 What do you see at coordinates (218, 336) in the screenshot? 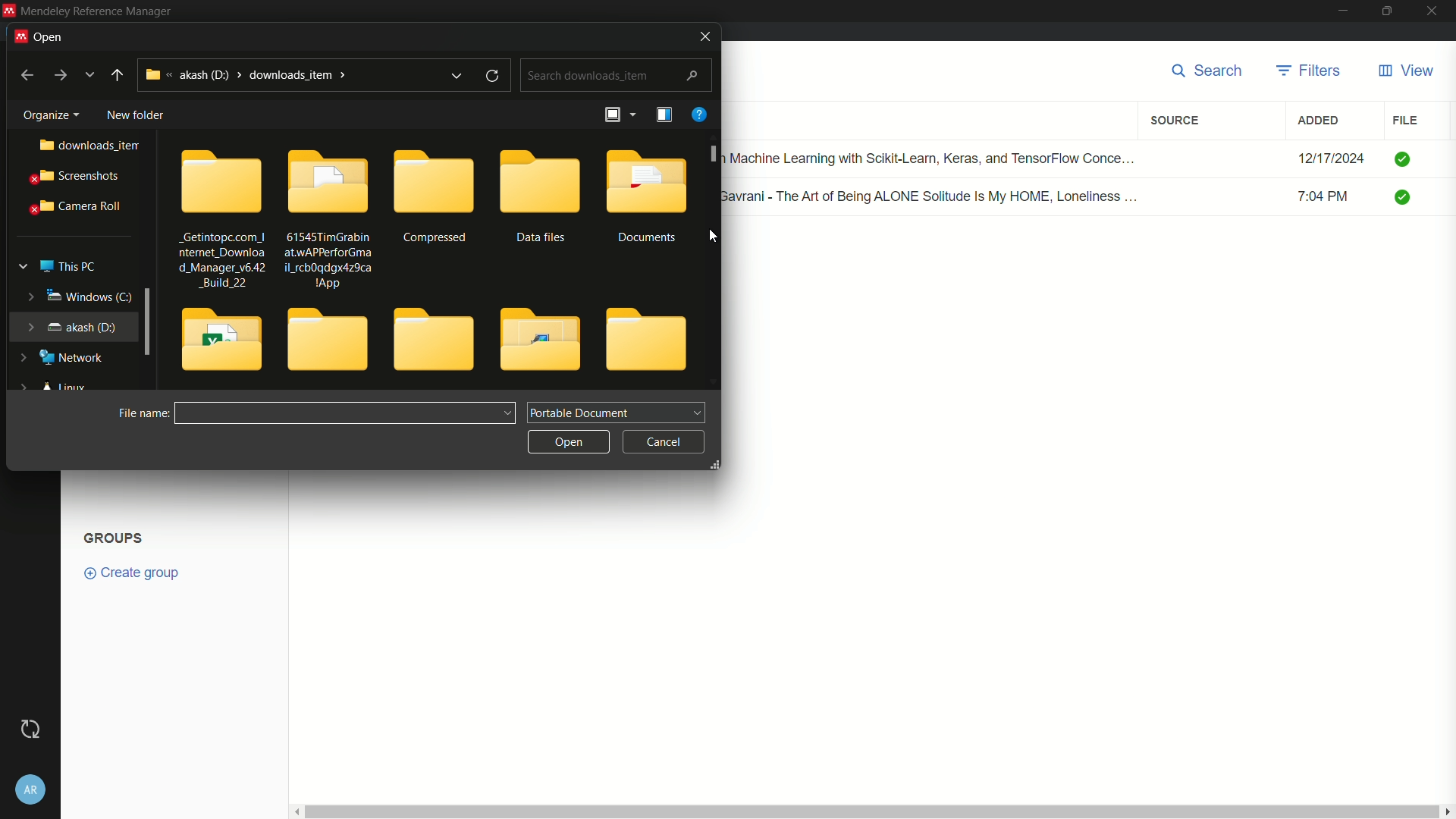
I see `folder` at bounding box center [218, 336].